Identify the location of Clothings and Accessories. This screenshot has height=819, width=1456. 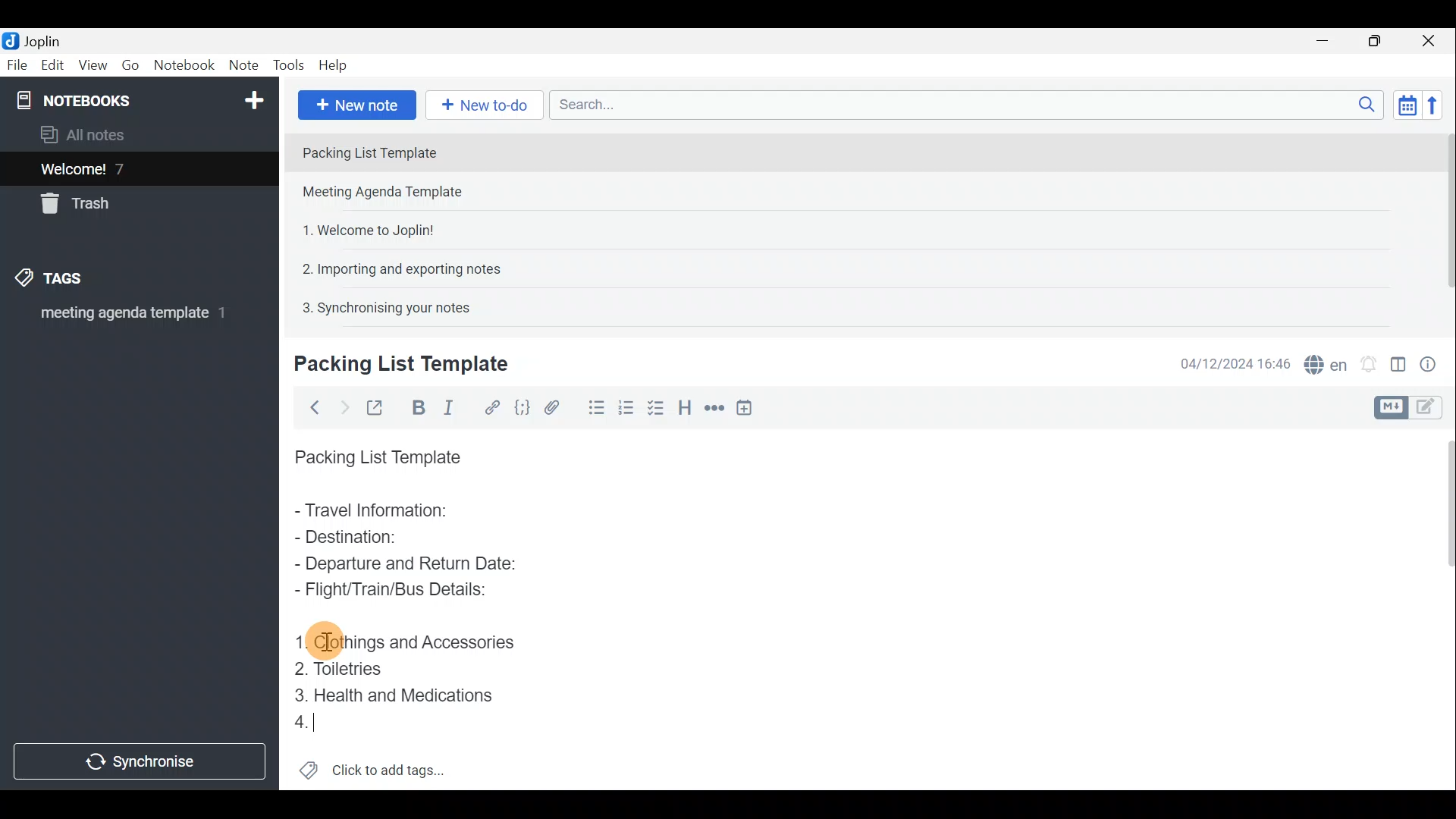
(413, 640).